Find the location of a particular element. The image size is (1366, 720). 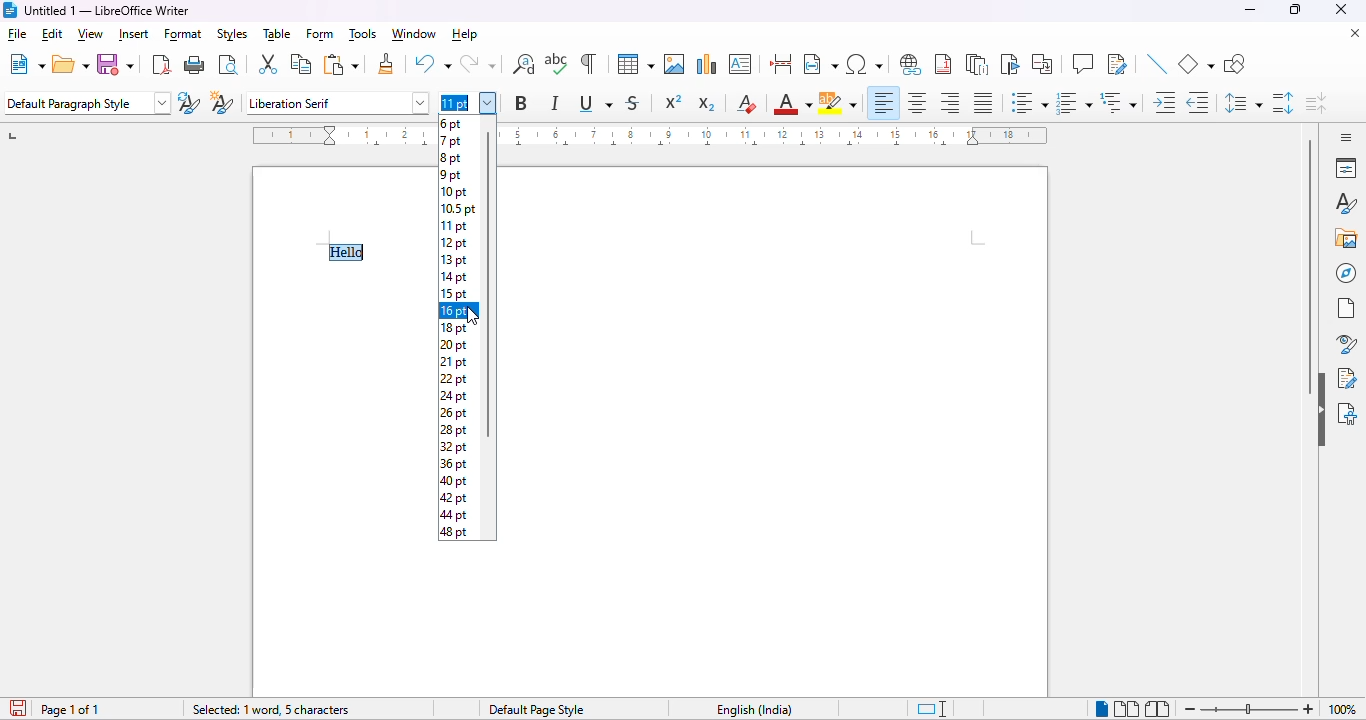

21 pt is located at coordinates (453, 362).